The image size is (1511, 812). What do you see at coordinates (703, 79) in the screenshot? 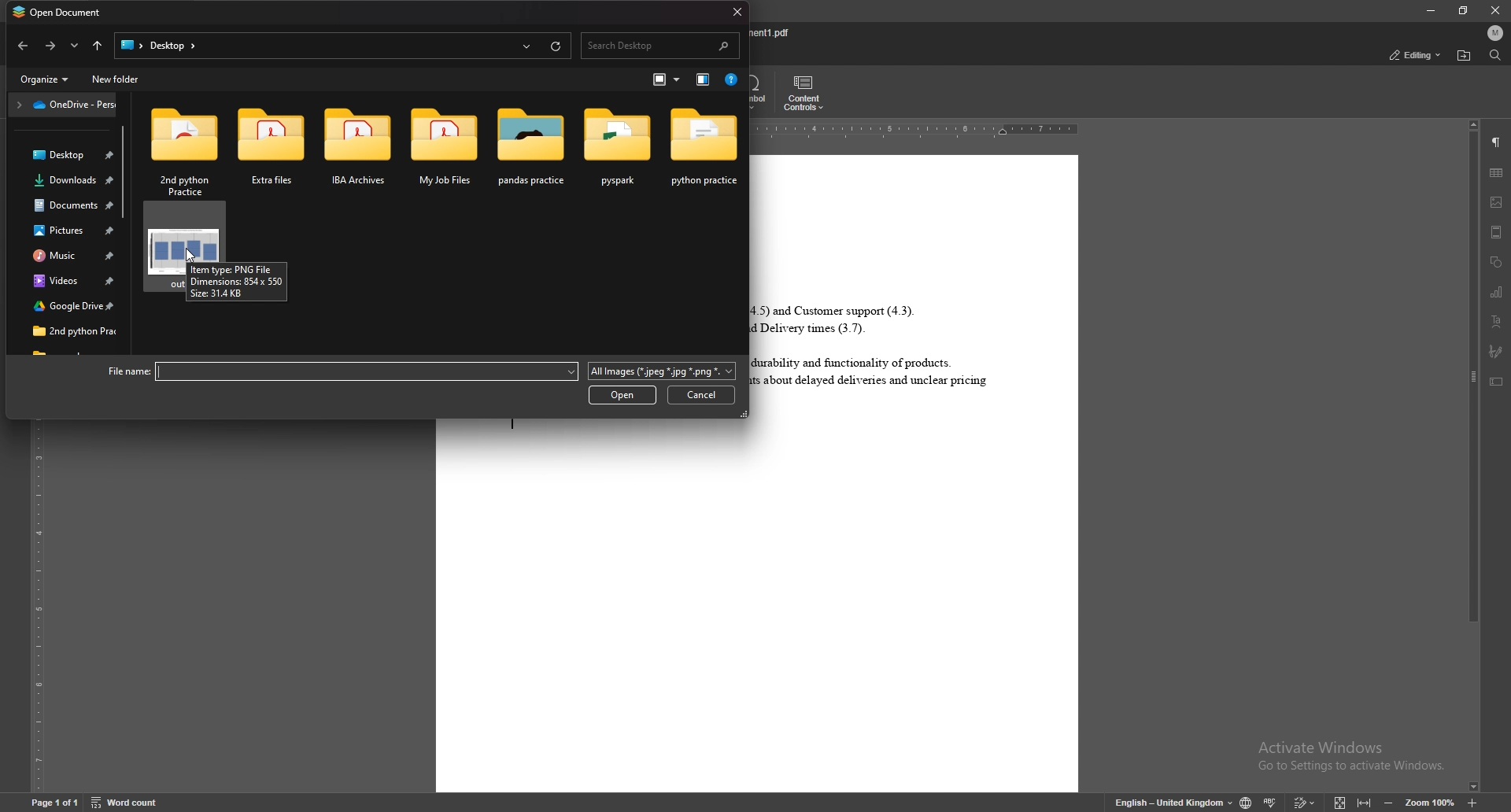
I see `view ` at bounding box center [703, 79].